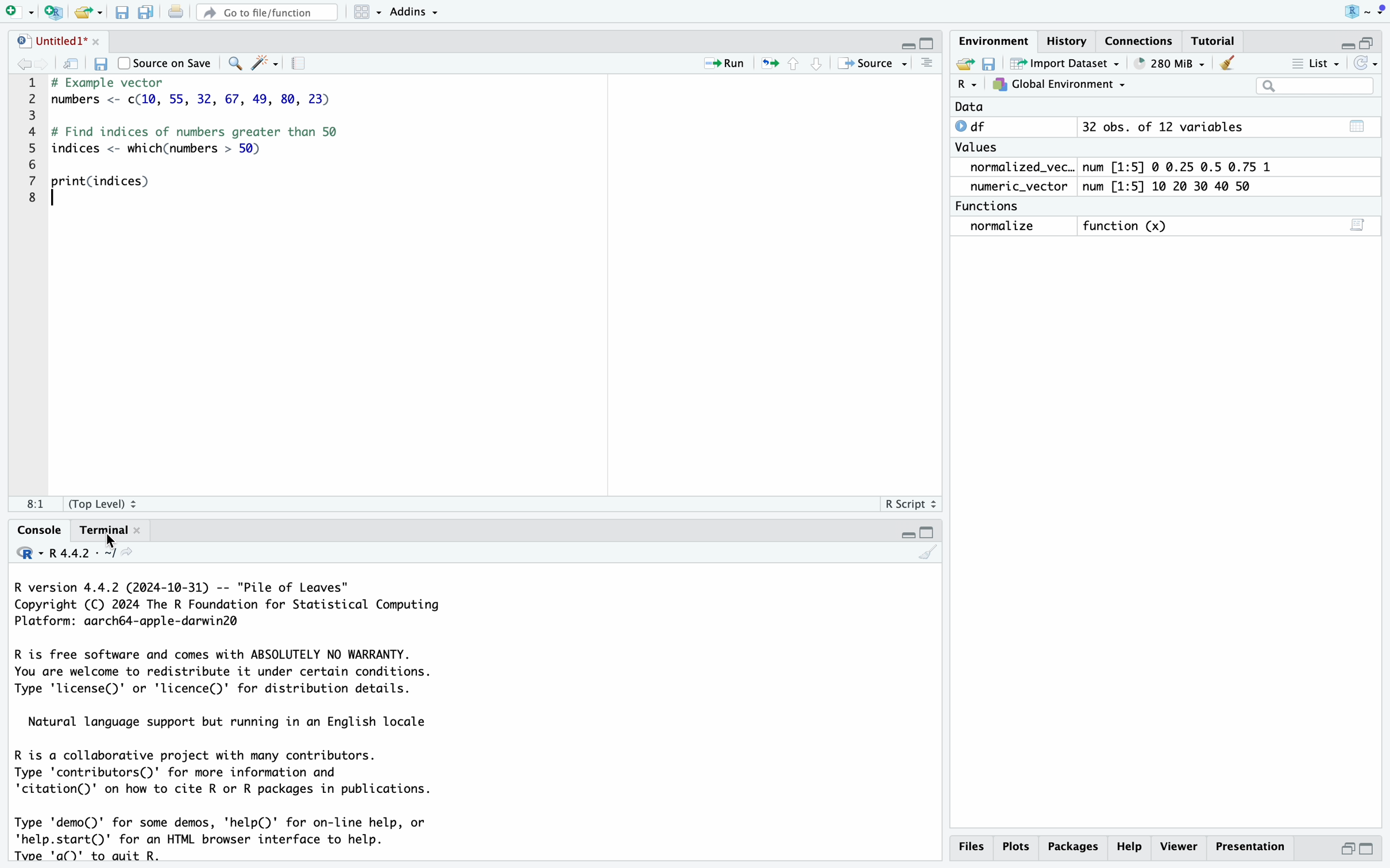  What do you see at coordinates (793, 63) in the screenshot?
I see `go to previous section` at bounding box center [793, 63].